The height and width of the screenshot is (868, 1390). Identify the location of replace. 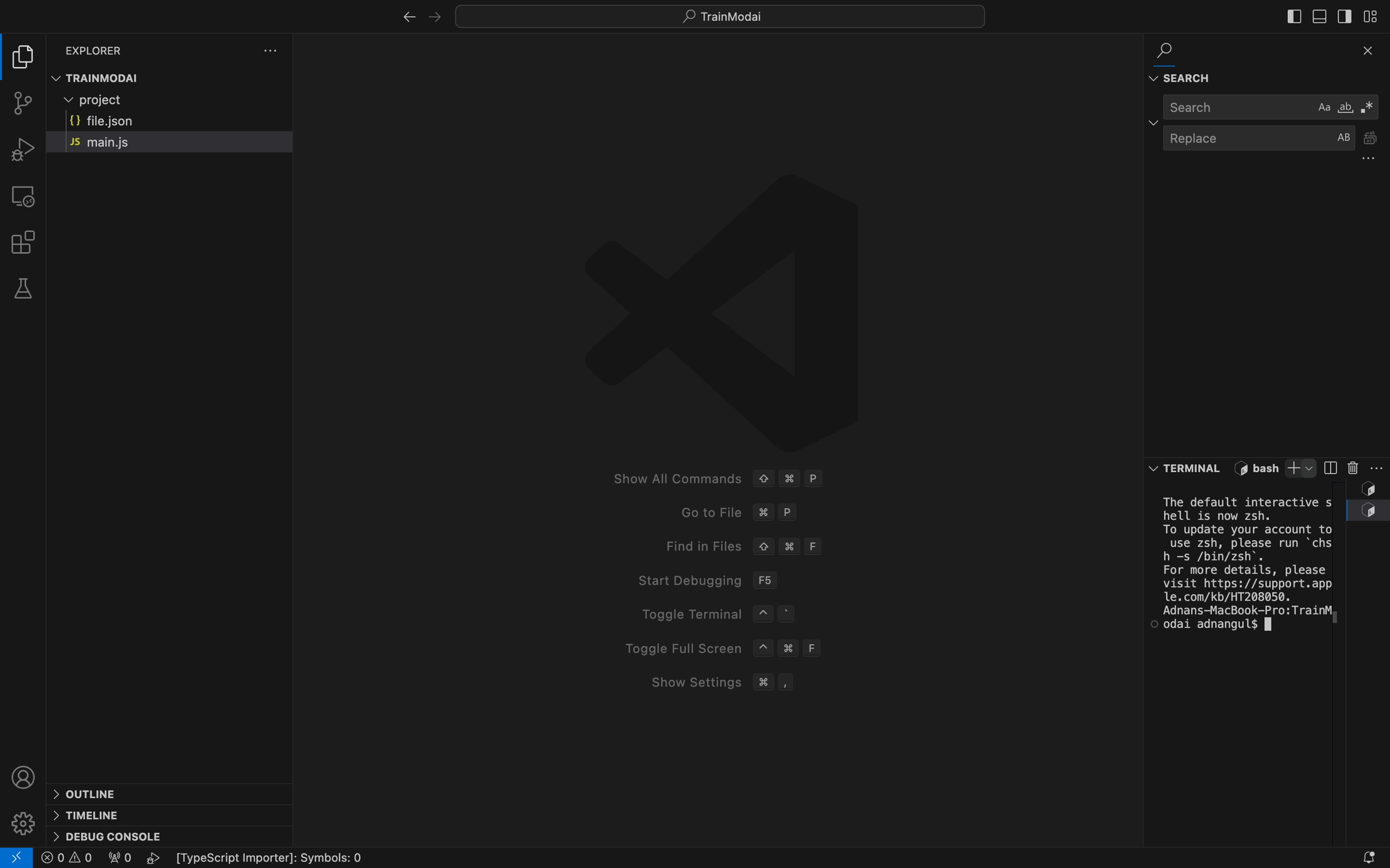
(1277, 141).